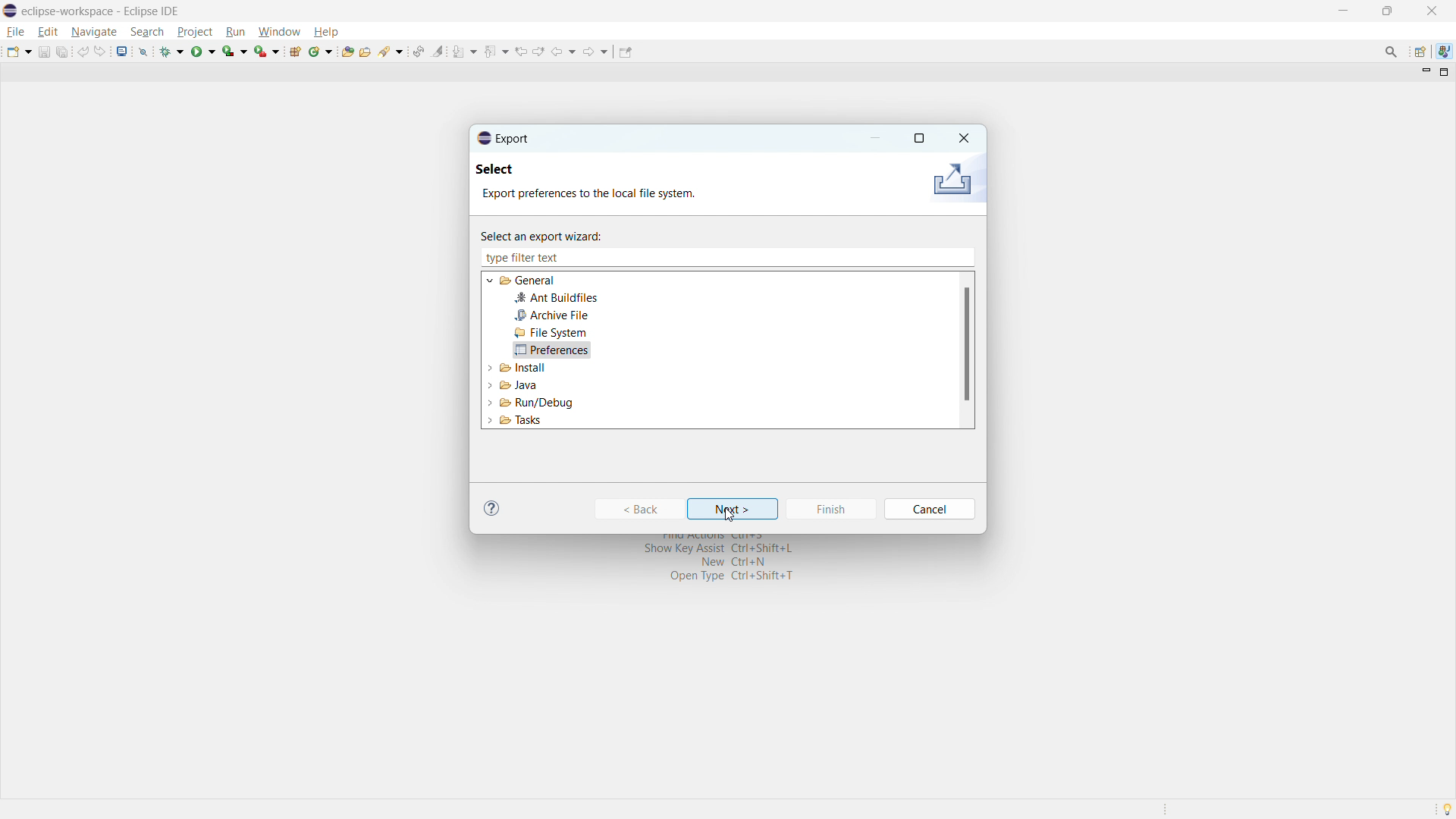  Describe the element at coordinates (596, 52) in the screenshot. I see `forward` at that location.